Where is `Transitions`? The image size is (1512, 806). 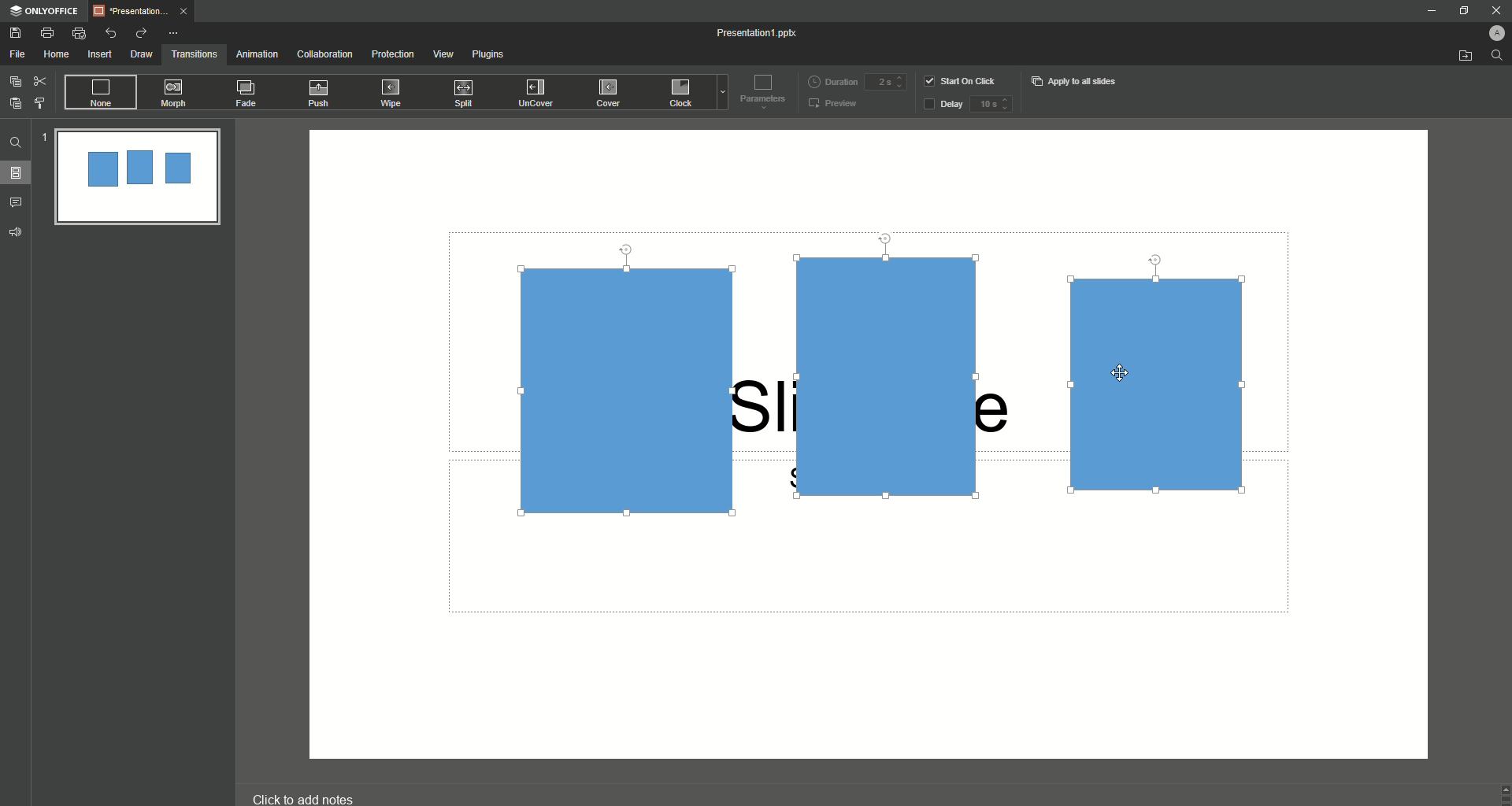 Transitions is located at coordinates (195, 53).